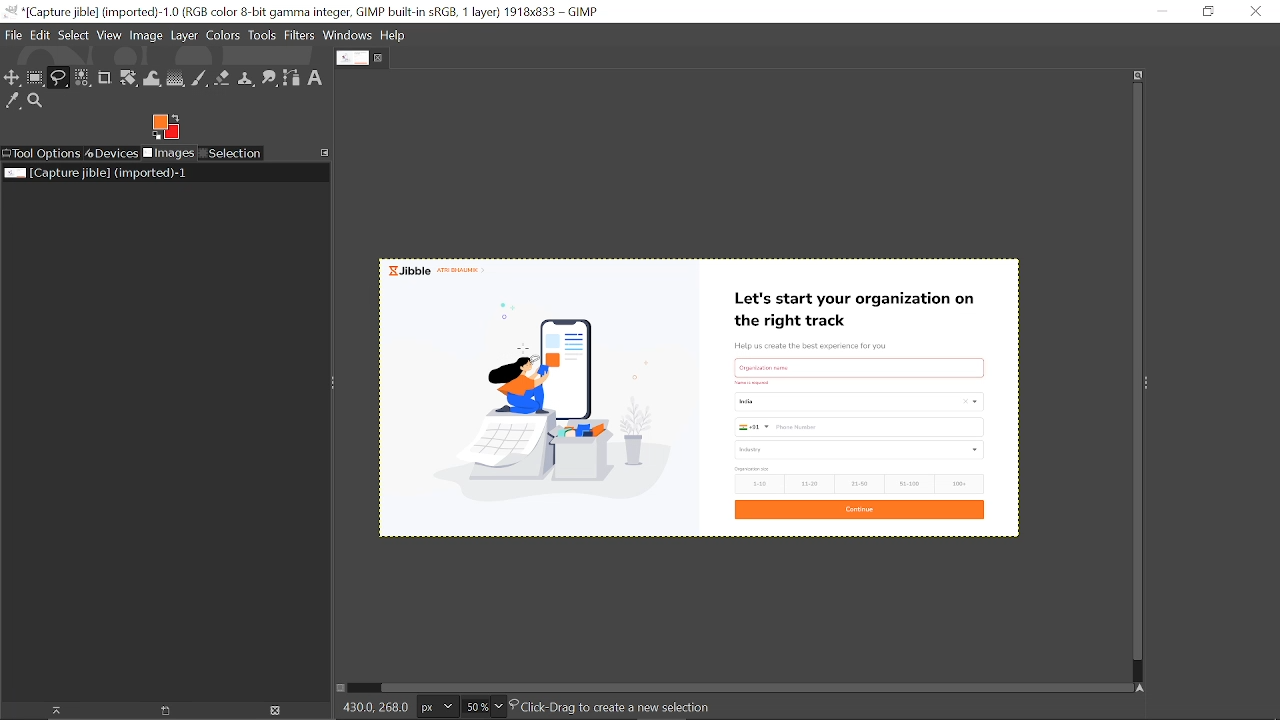  What do you see at coordinates (245, 80) in the screenshot?
I see `Clone tool` at bounding box center [245, 80].